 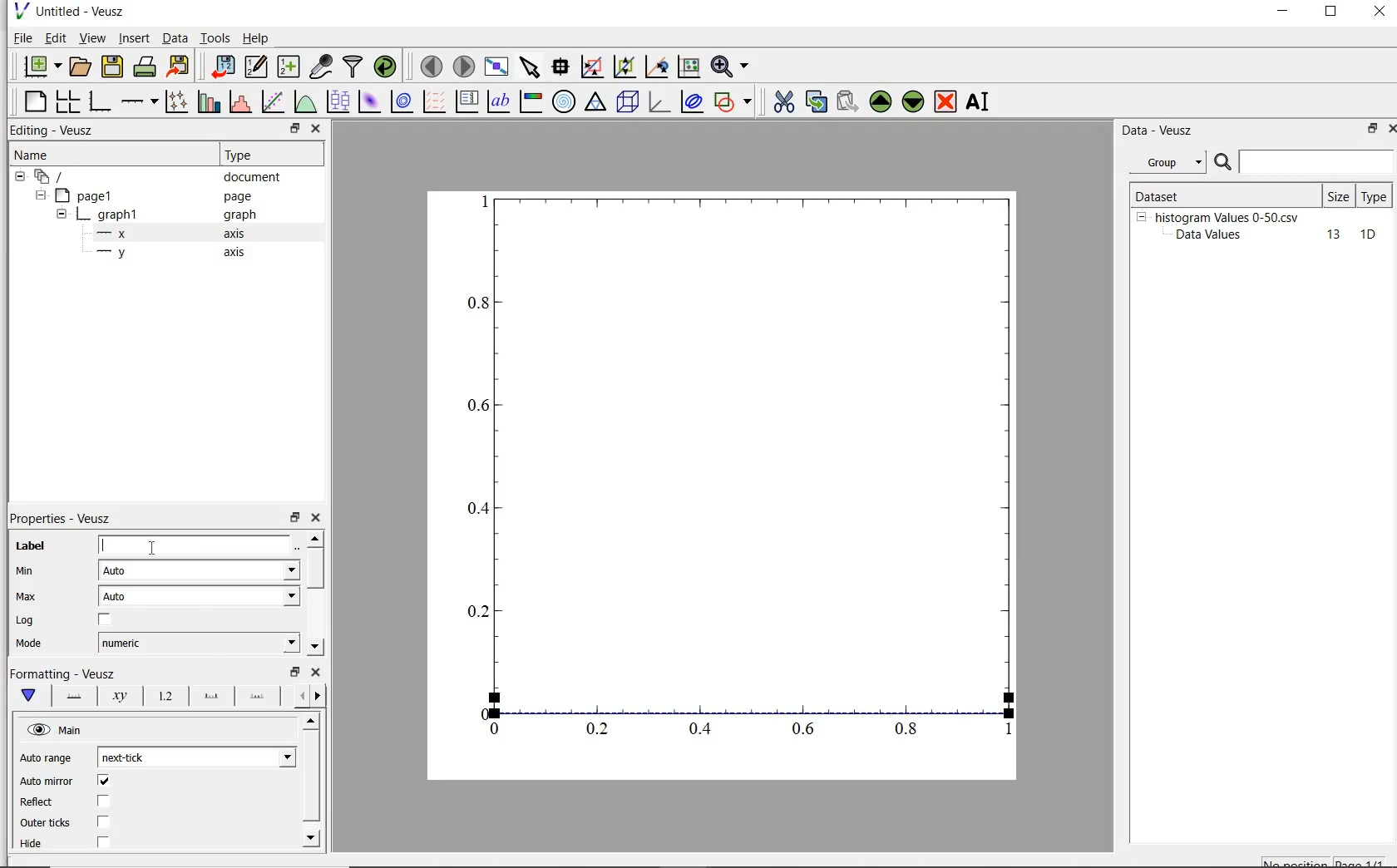 What do you see at coordinates (314, 538) in the screenshot?
I see `move up` at bounding box center [314, 538].